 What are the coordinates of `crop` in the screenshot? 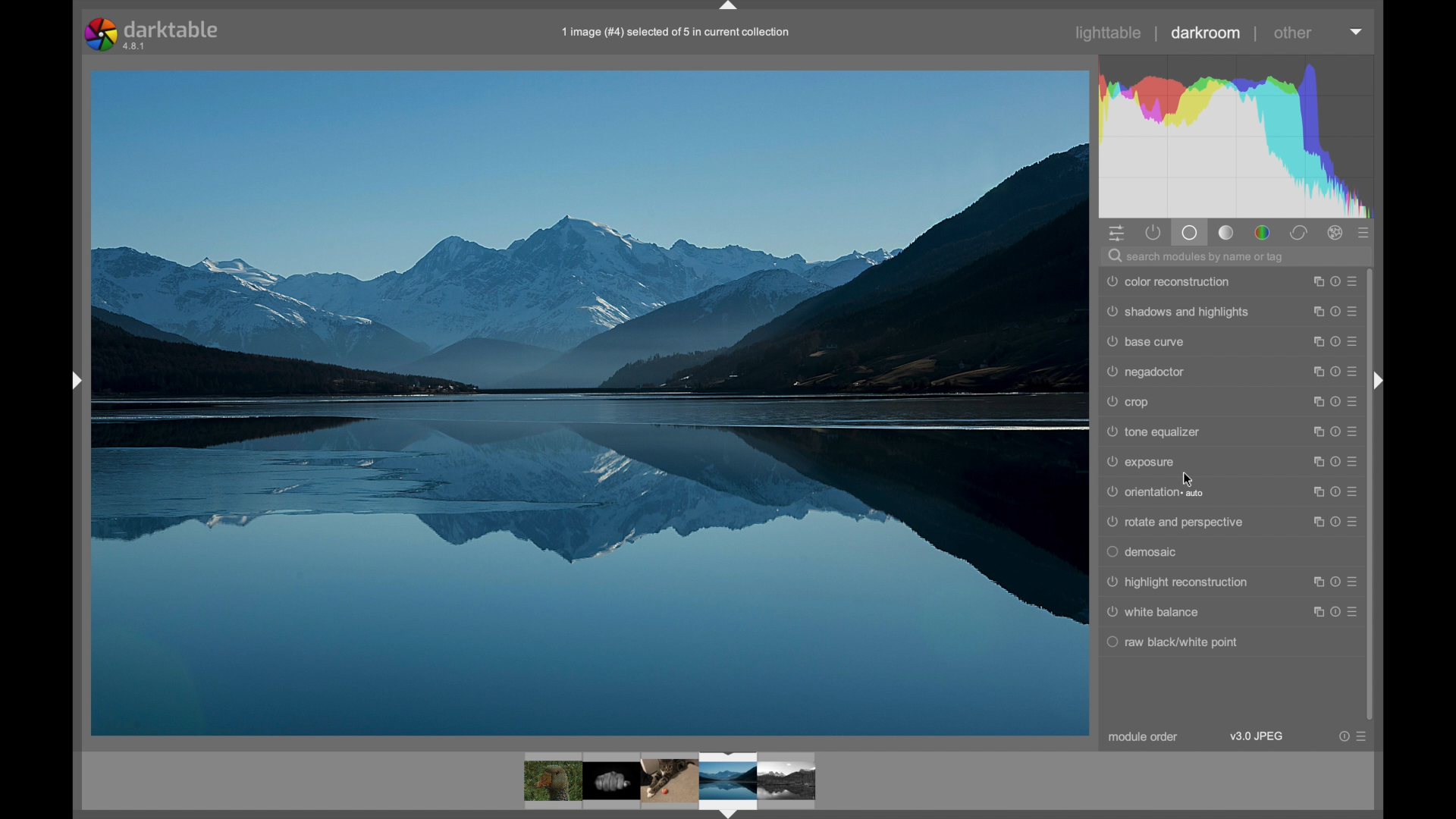 It's located at (1128, 401).